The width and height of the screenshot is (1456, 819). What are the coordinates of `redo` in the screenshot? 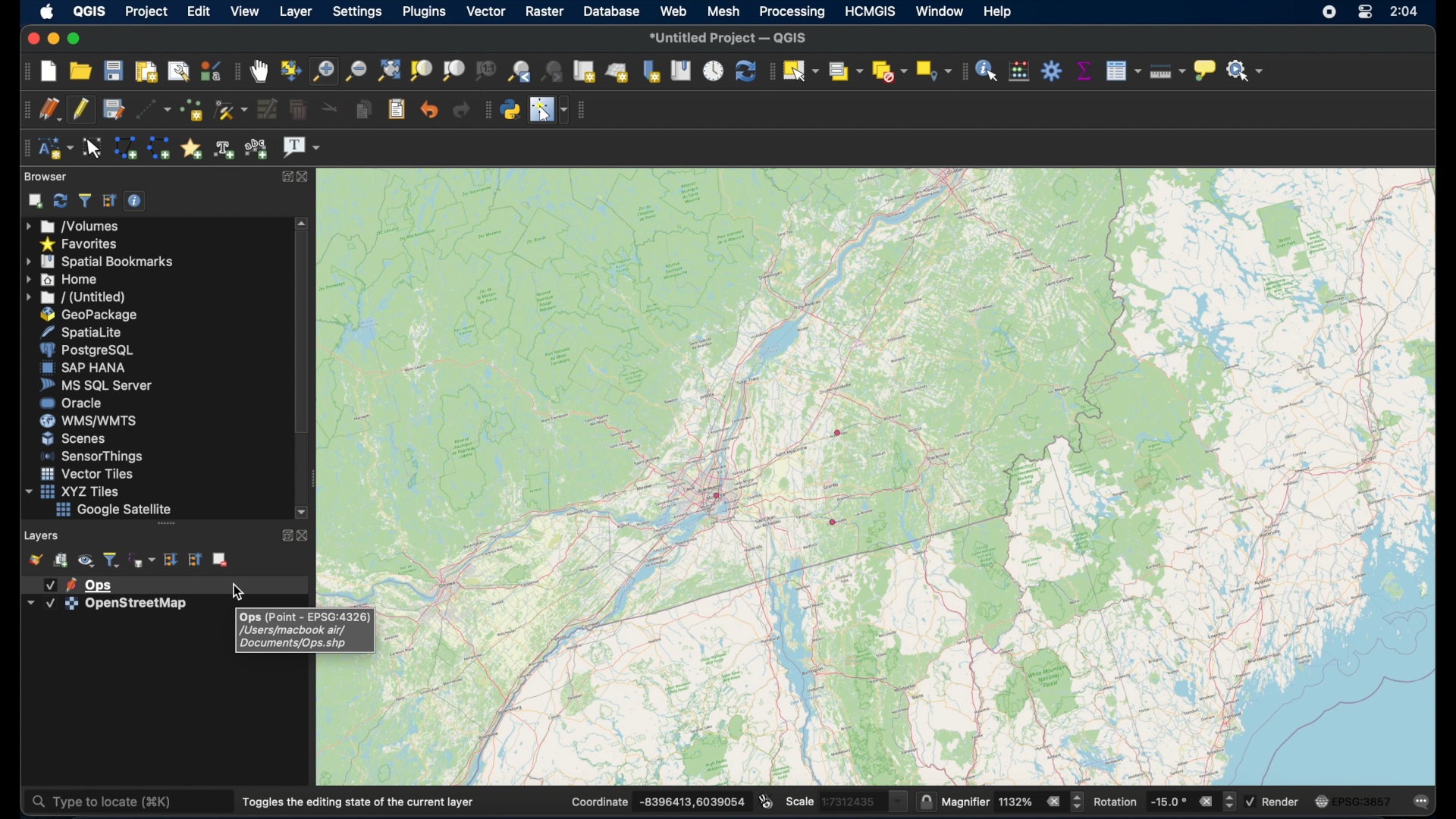 It's located at (459, 110).